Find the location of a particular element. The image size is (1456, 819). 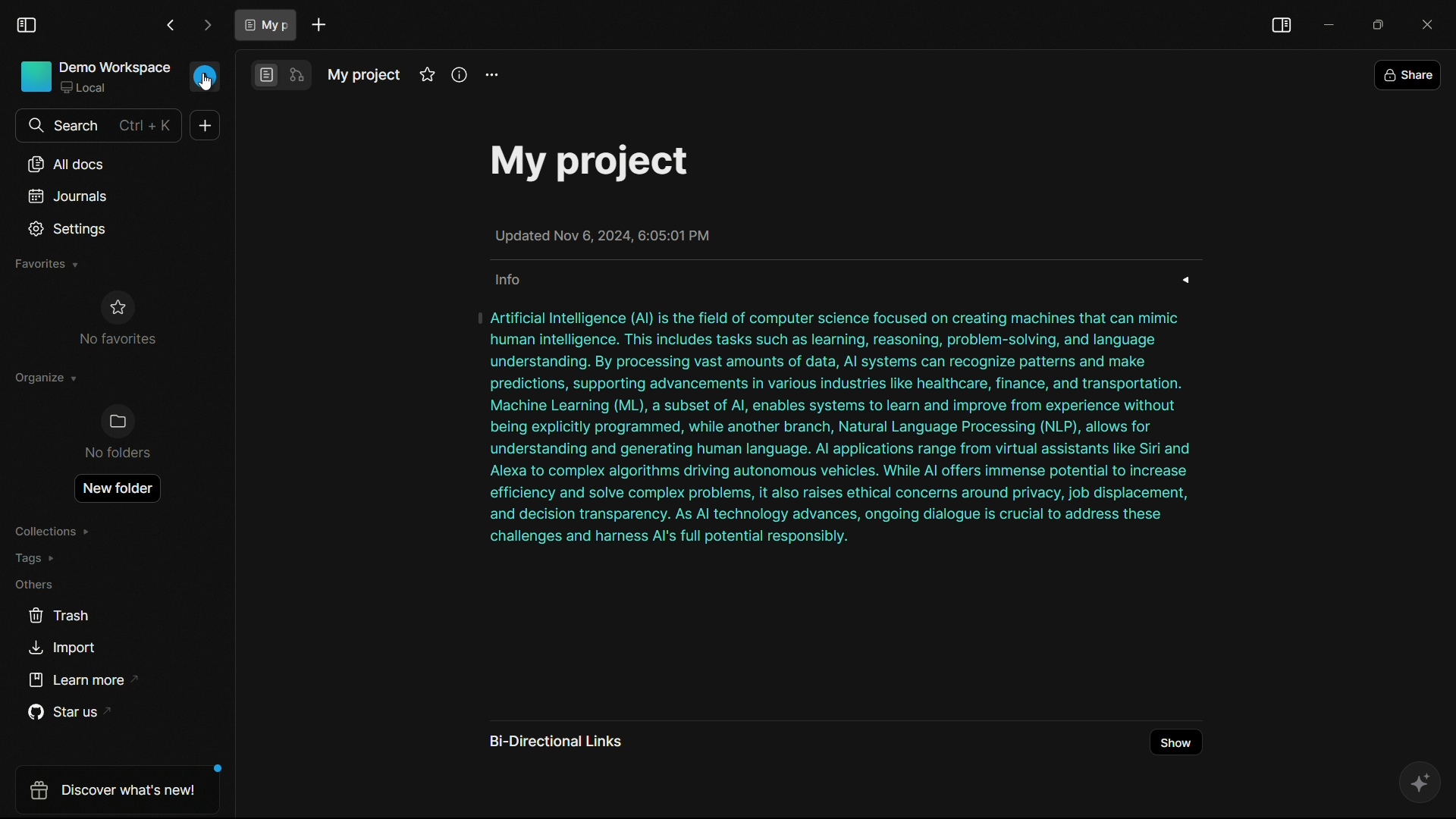

forward is located at coordinates (207, 26).